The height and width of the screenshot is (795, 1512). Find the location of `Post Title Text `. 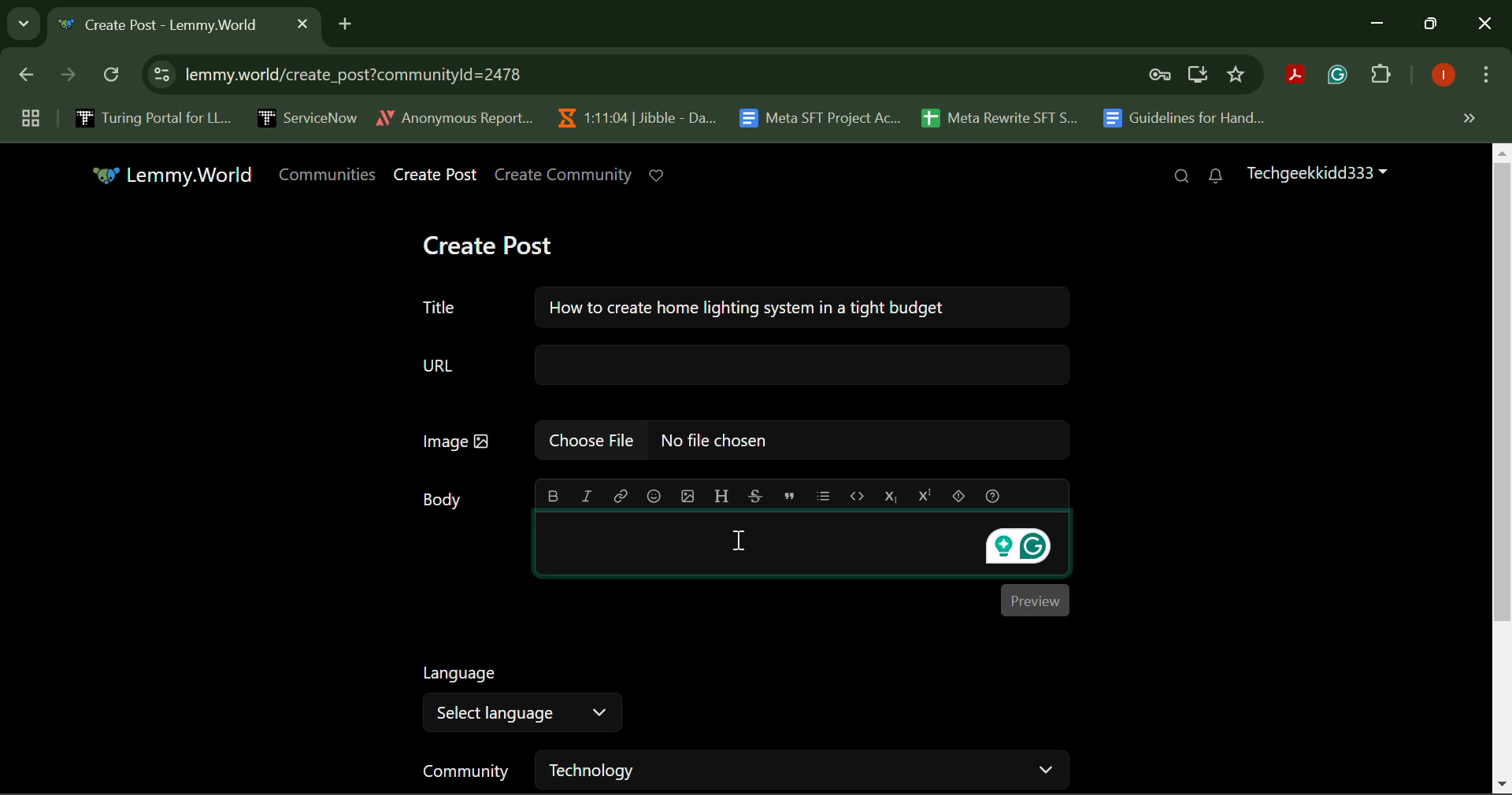

Post Title Text  is located at coordinates (736, 304).